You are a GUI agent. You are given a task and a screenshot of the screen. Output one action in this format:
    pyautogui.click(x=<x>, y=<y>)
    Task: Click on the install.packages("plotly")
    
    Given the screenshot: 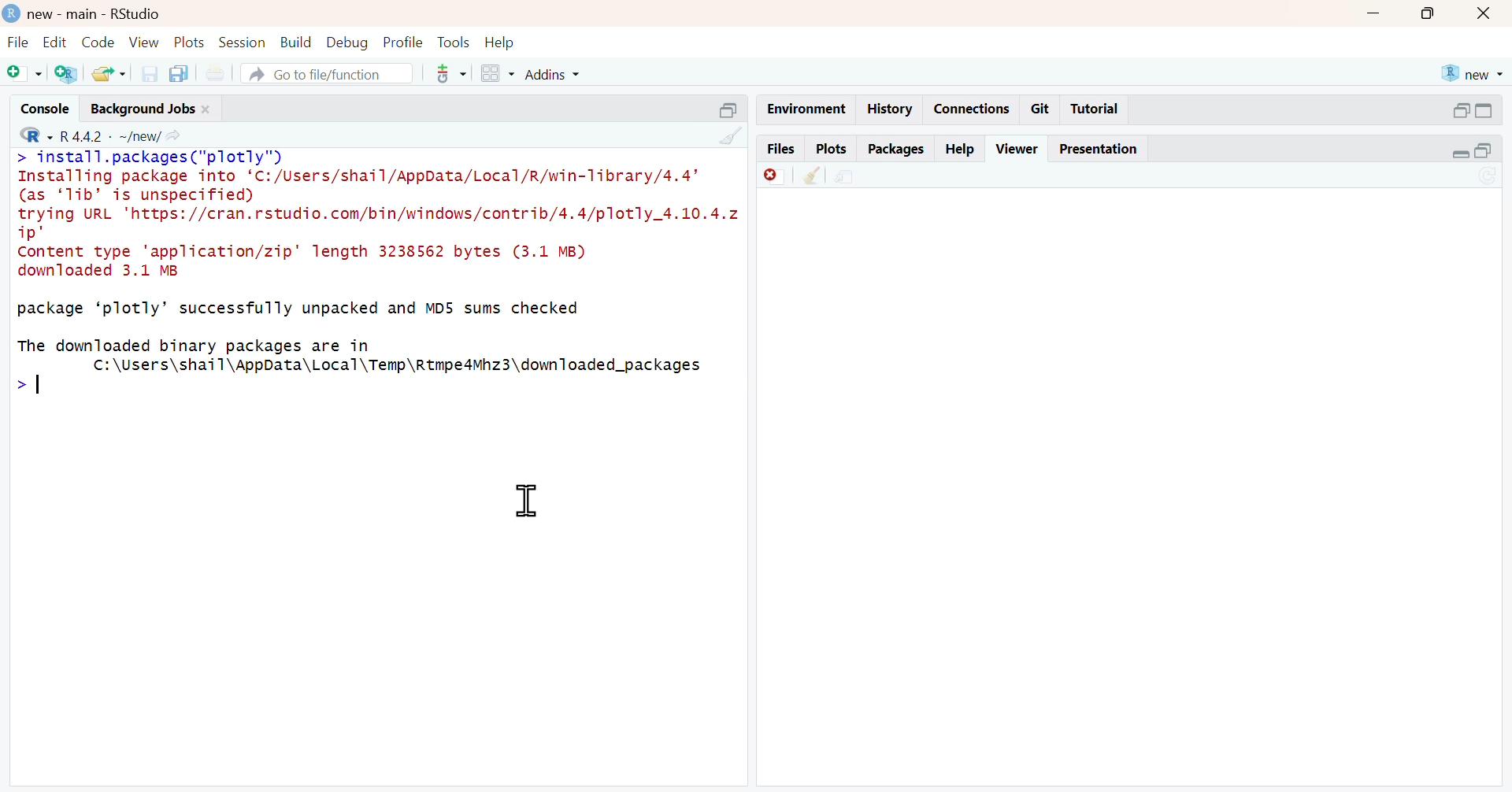 What is the action you would take?
    pyautogui.click(x=165, y=157)
    